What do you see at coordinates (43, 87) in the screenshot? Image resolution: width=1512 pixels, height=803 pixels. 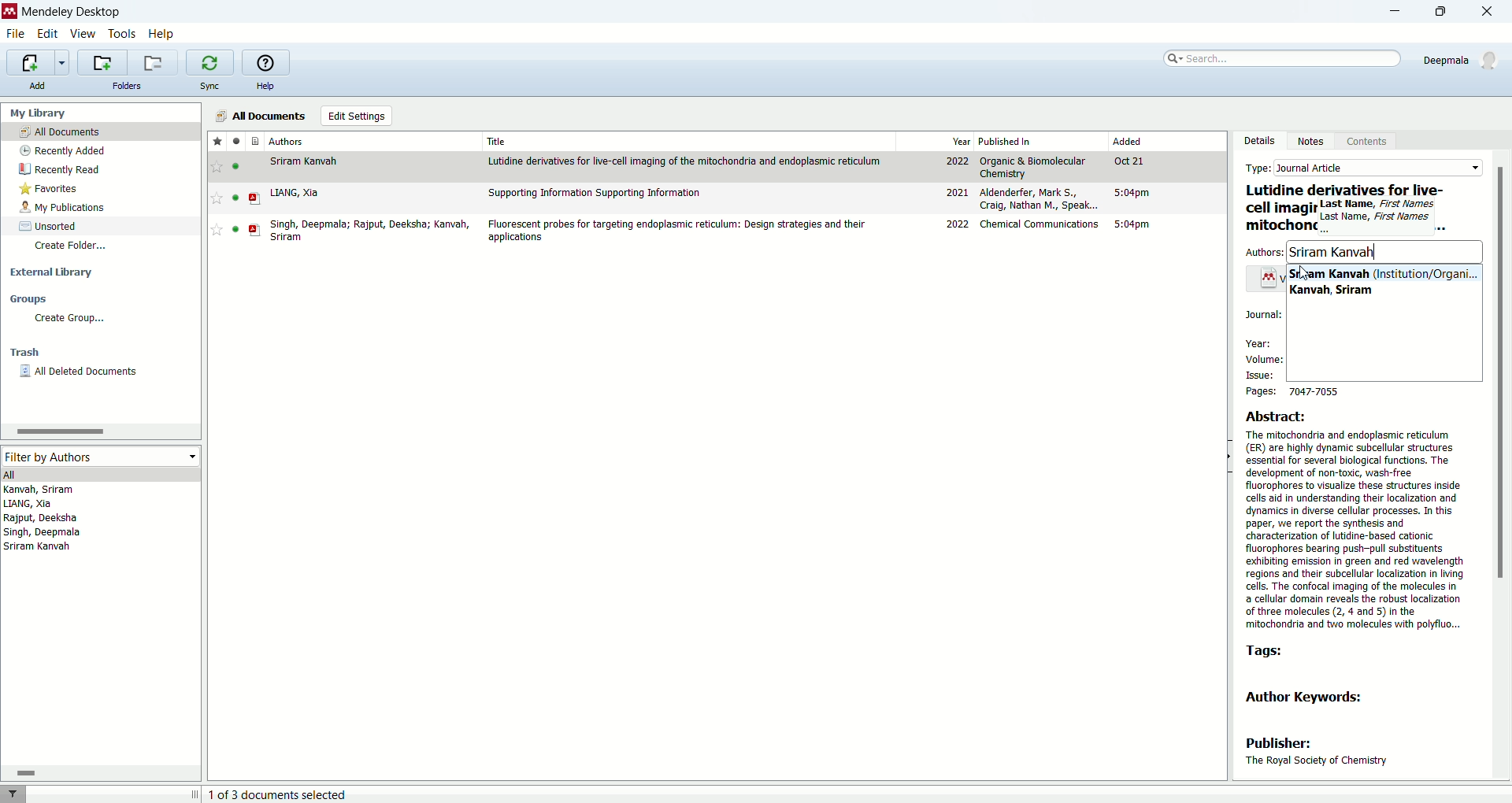 I see `add` at bounding box center [43, 87].